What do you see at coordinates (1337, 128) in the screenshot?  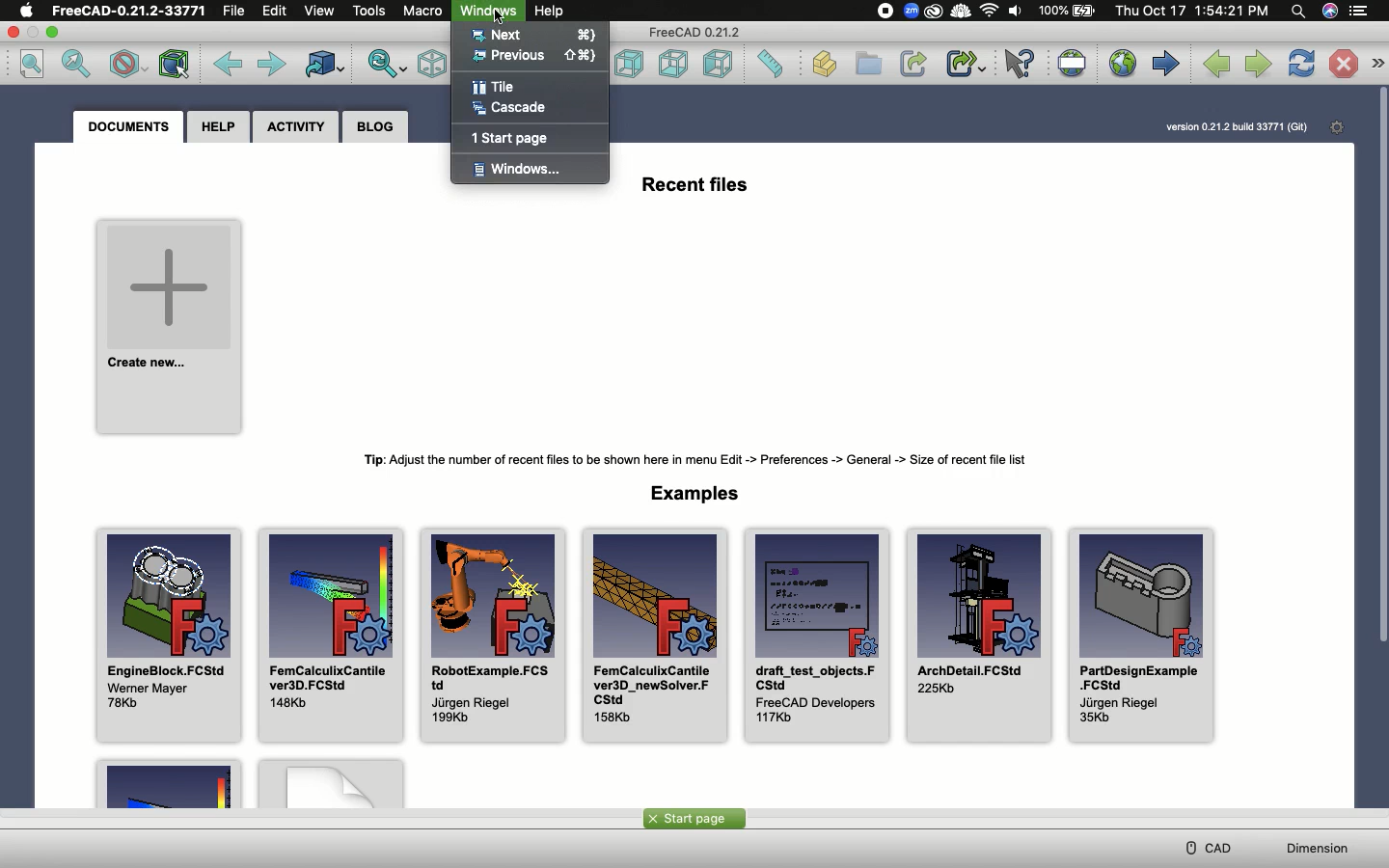 I see `Open start page preferences` at bounding box center [1337, 128].